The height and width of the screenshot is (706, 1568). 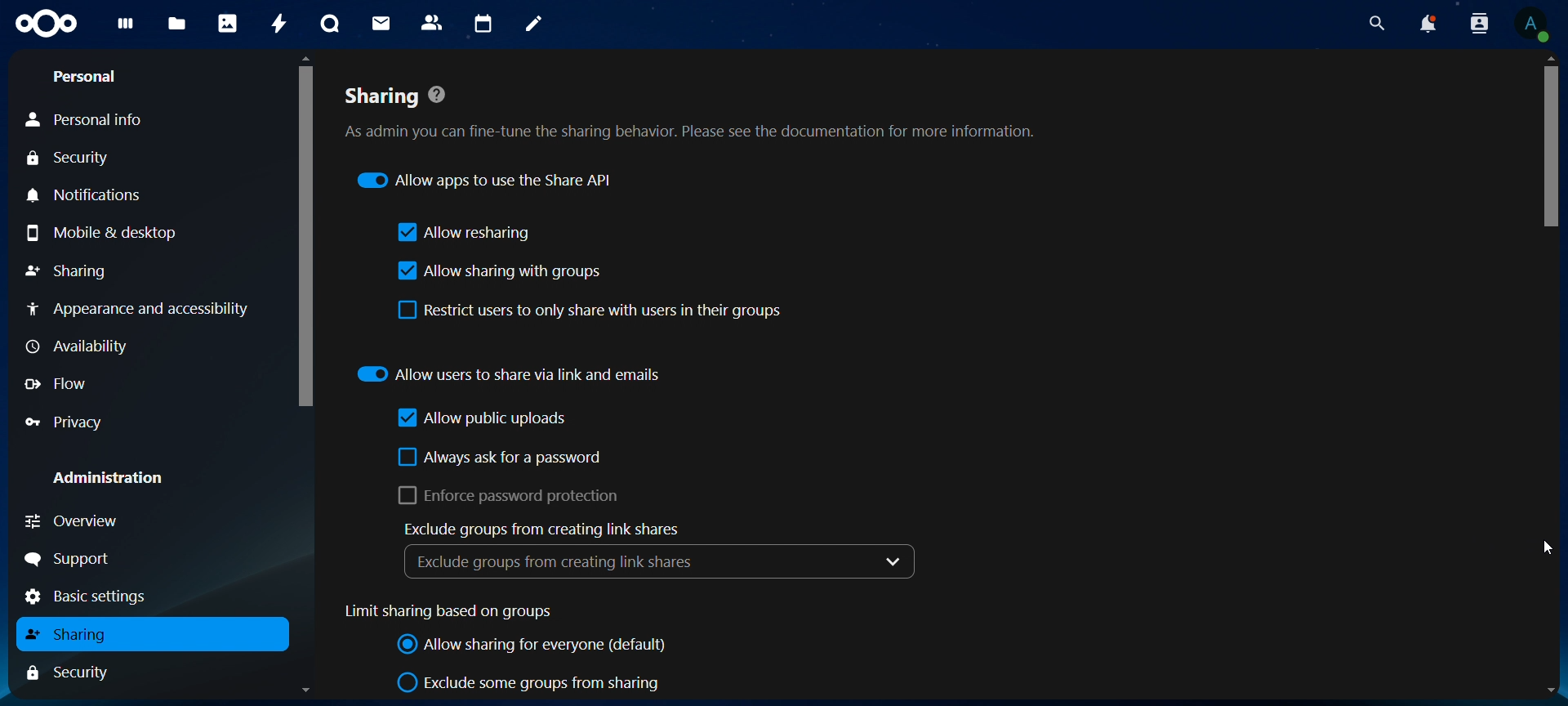 What do you see at coordinates (75, 559) in the screenshot?
I see `support` at bounding box center [75, 559].